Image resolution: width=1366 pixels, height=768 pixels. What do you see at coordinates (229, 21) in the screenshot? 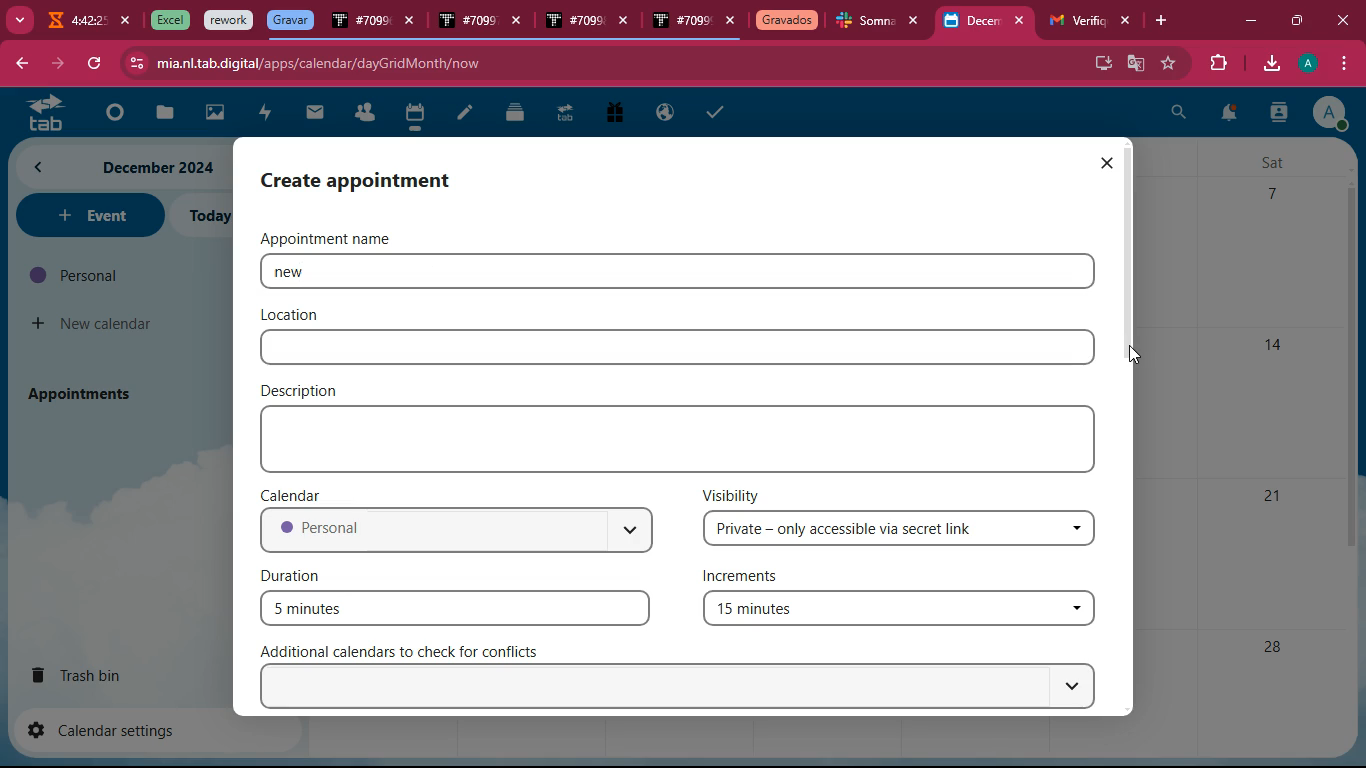
I see `tab` at bounding box center [229, 21].